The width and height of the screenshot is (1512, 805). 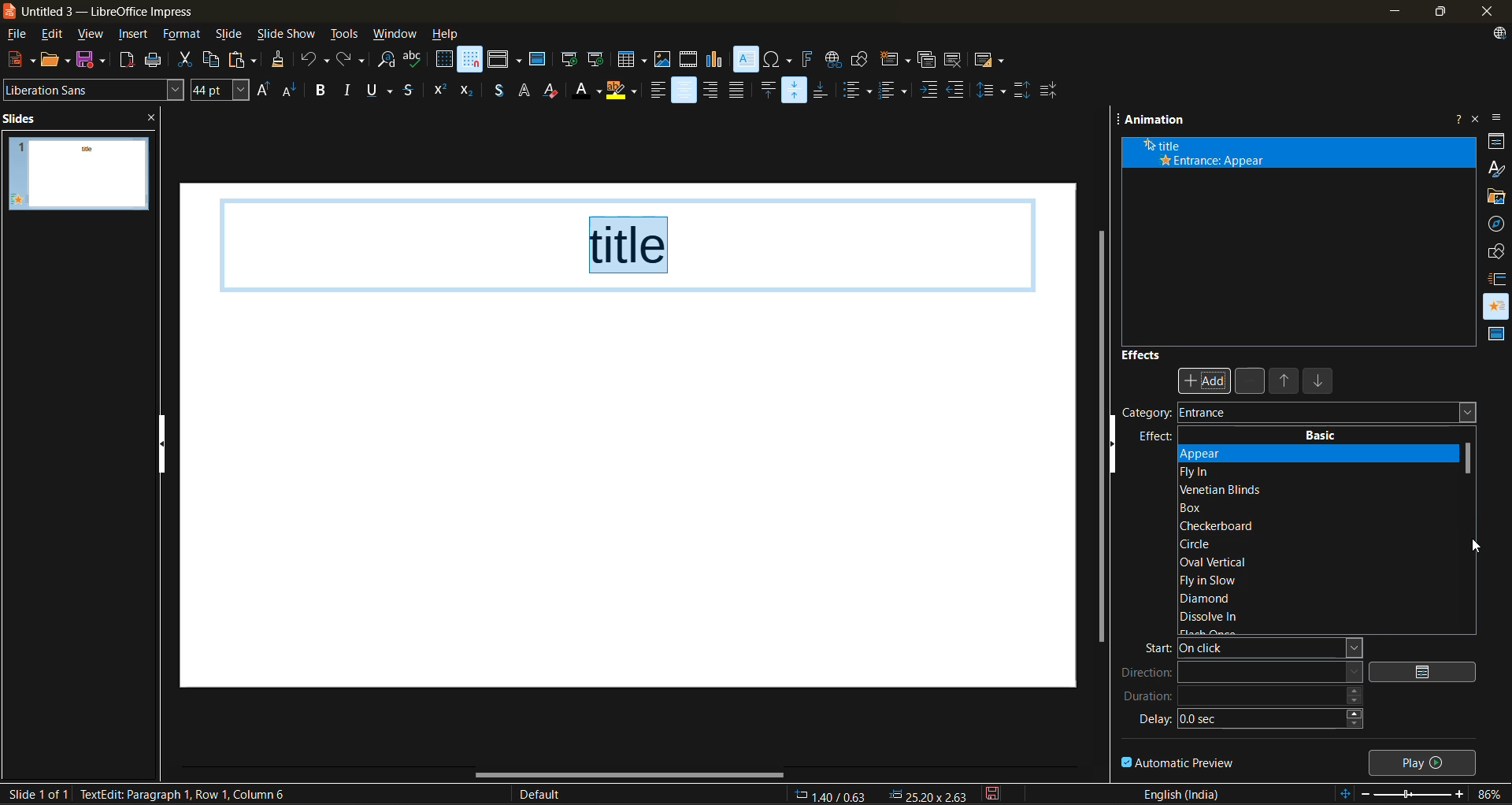 I want to click on align right, so click(x=711, y=91).